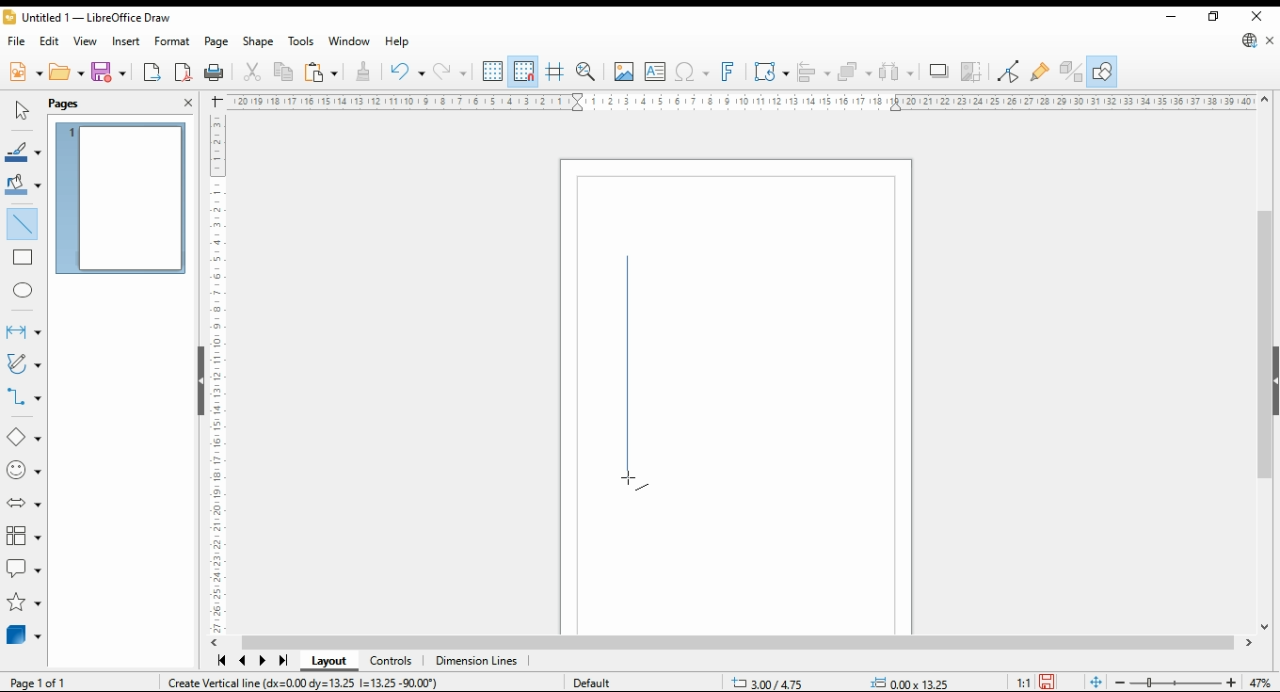  Describe the element at coordinates (452, 72) in the screenshot. I see `undo` at that location.